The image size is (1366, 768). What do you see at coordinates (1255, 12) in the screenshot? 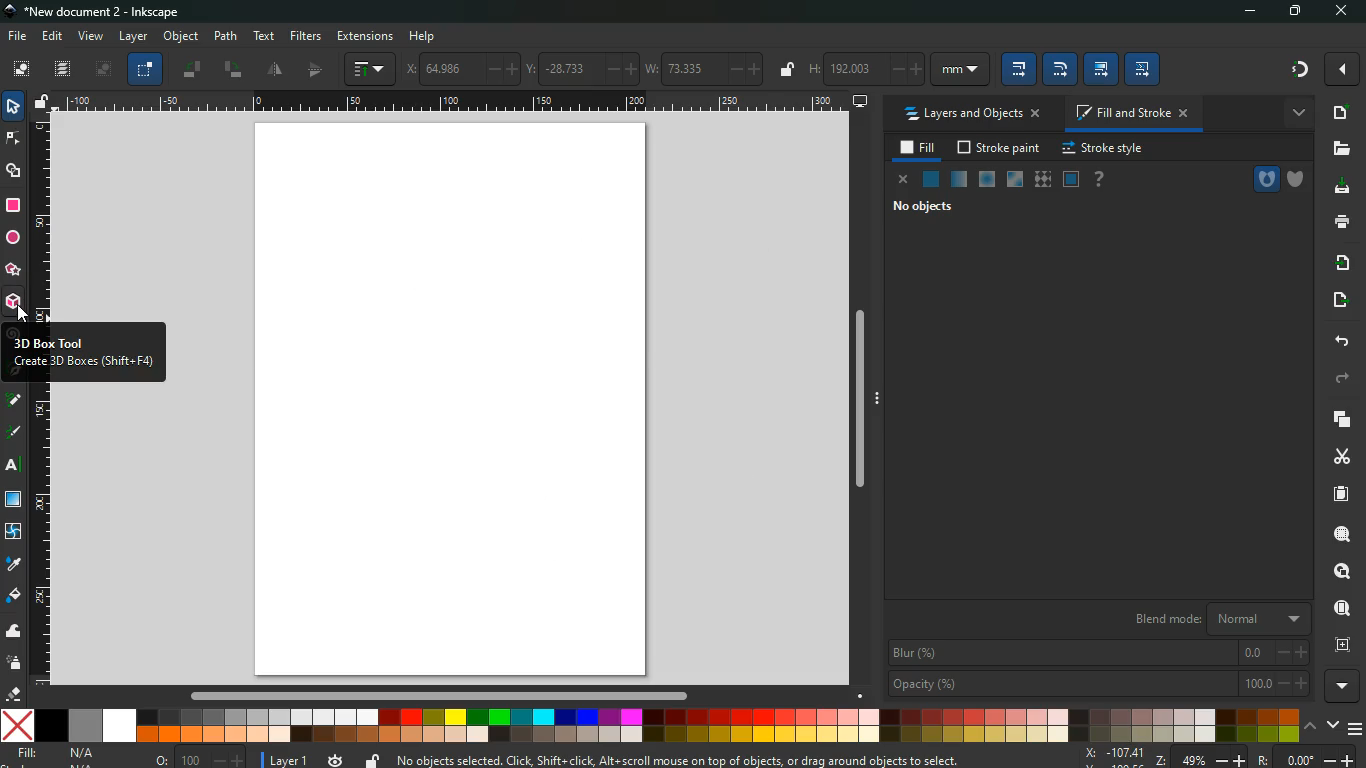
I see `minimize` at bounding box center [1255, 12].